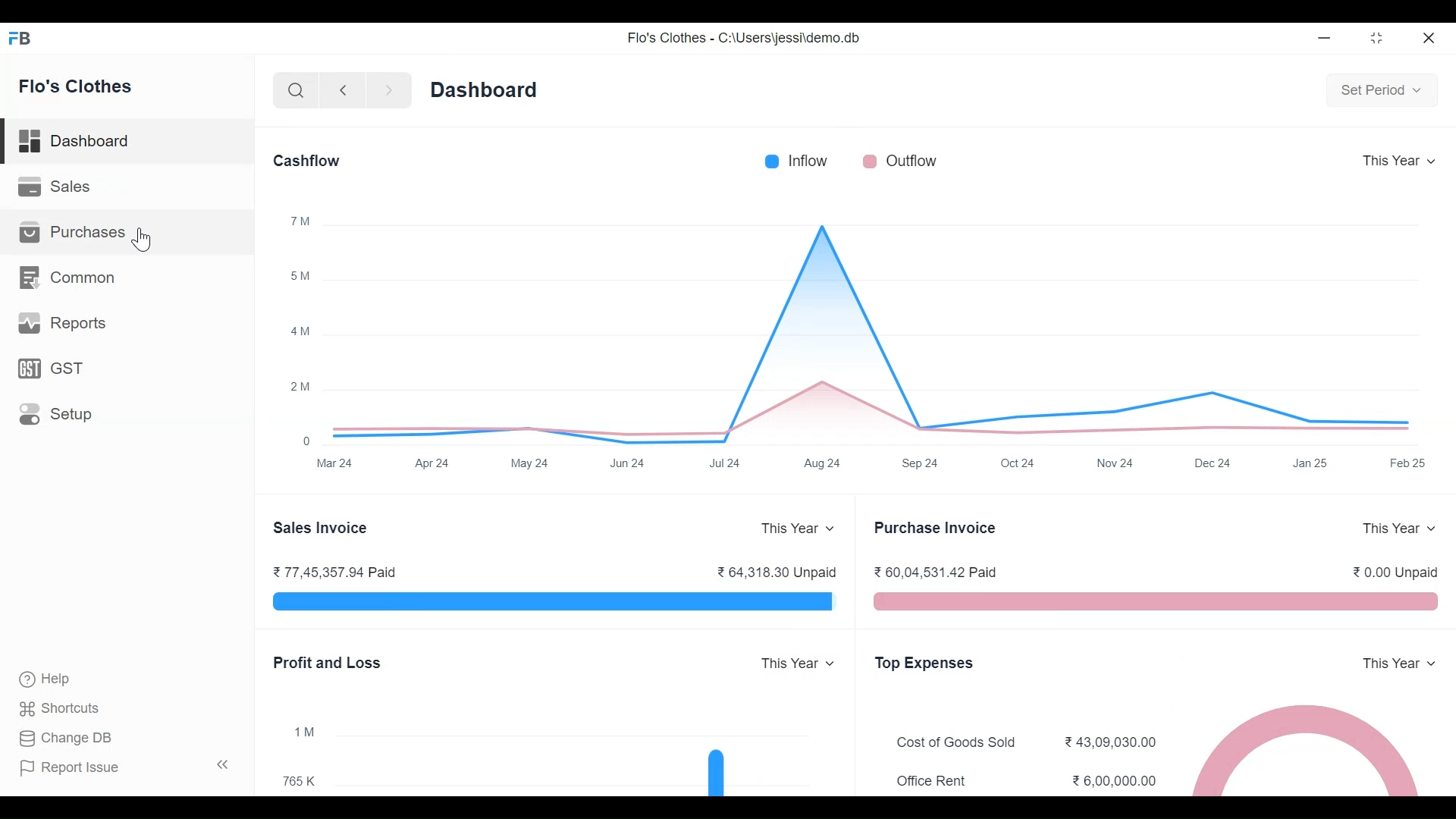 This screenshot has width=1456, height=819. Describe the element at coordinates (67, 738) in the screenshot. I see `Change DB` at that location.